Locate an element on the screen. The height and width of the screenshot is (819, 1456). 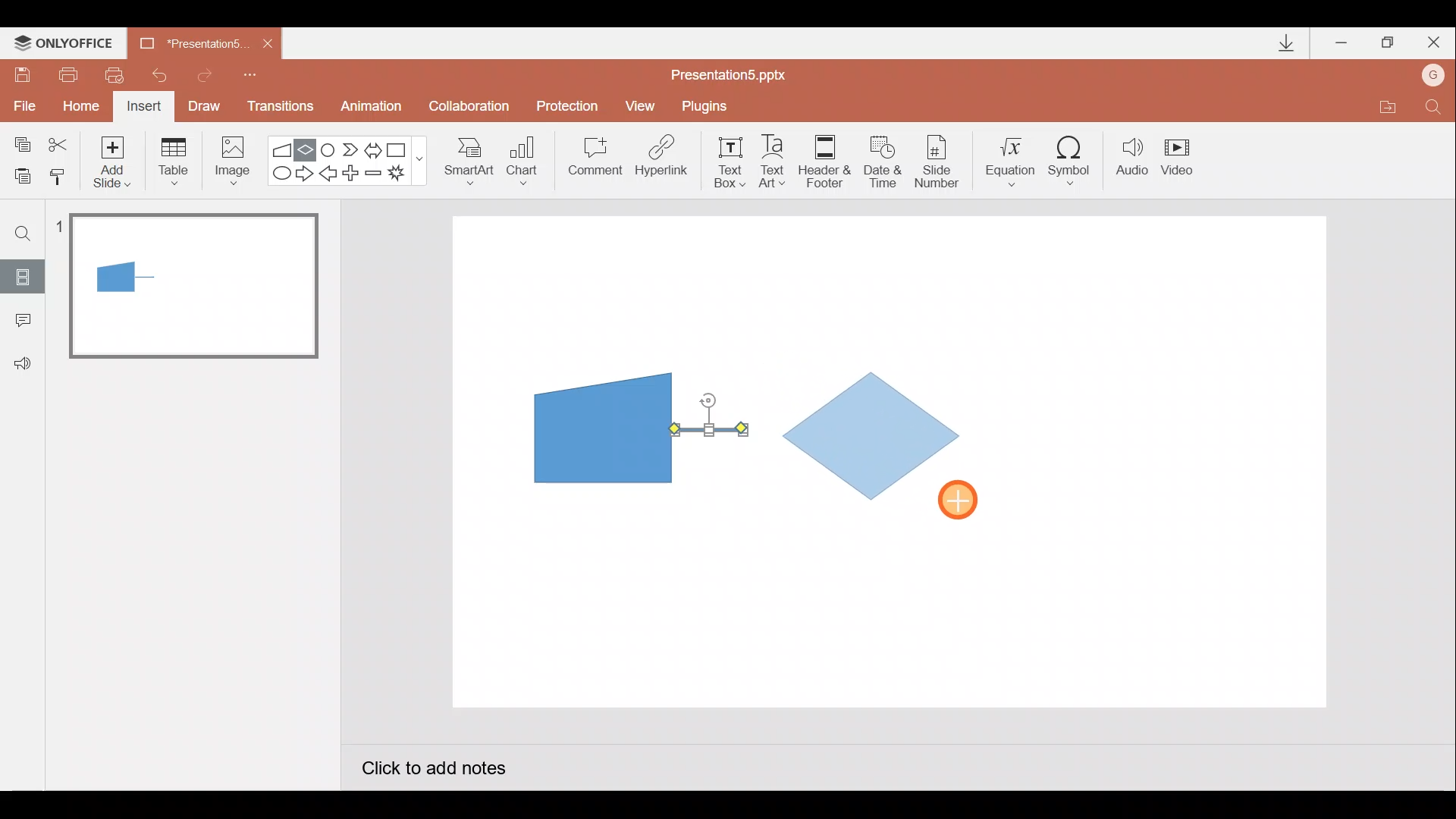
Equation is located at coordinates (1013, 159).